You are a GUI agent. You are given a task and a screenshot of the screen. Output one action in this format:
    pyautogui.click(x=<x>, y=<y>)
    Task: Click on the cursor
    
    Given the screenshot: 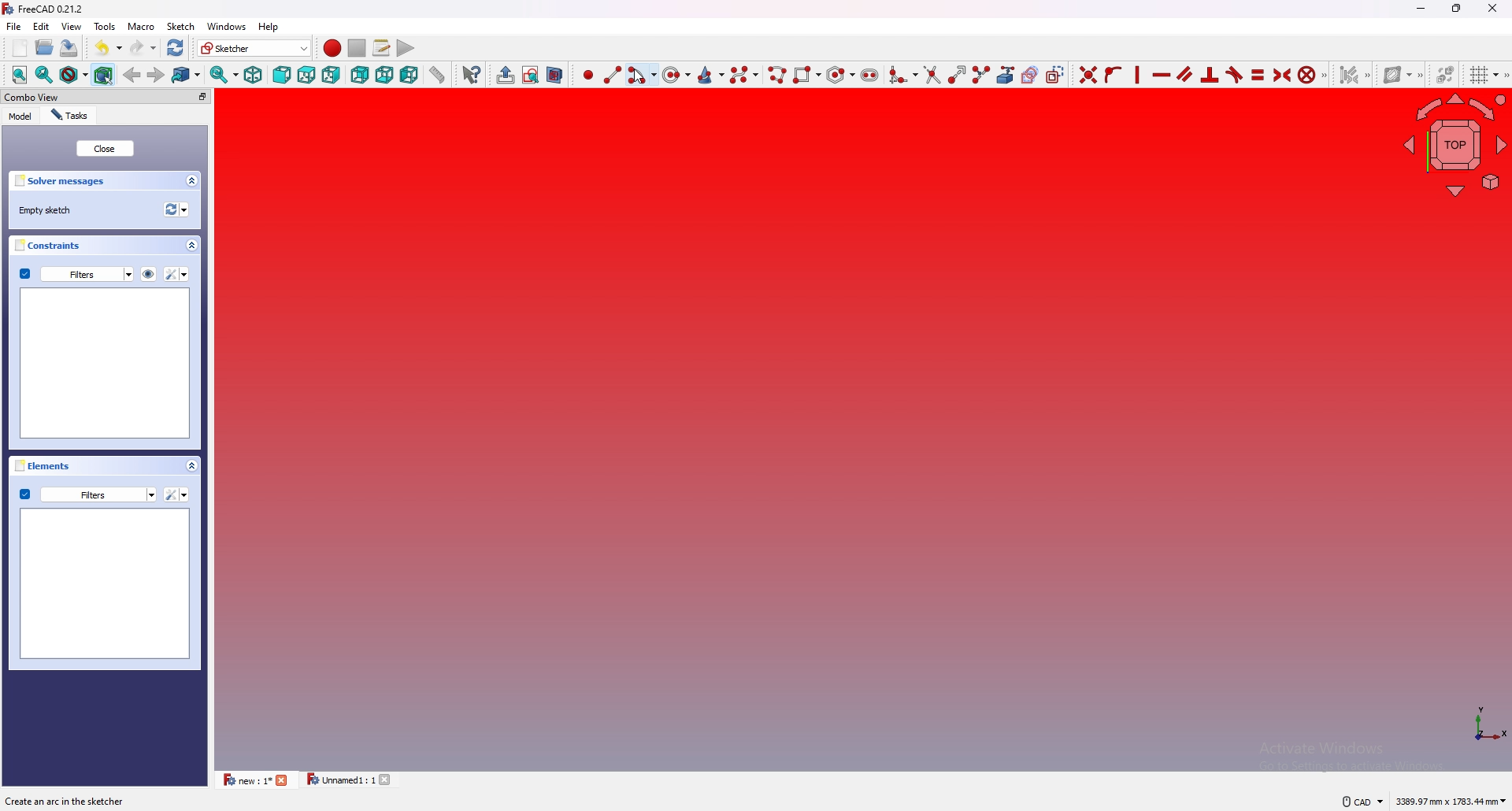 What is the action you would take?
    pyautogui.click(x=639, y=76)
    